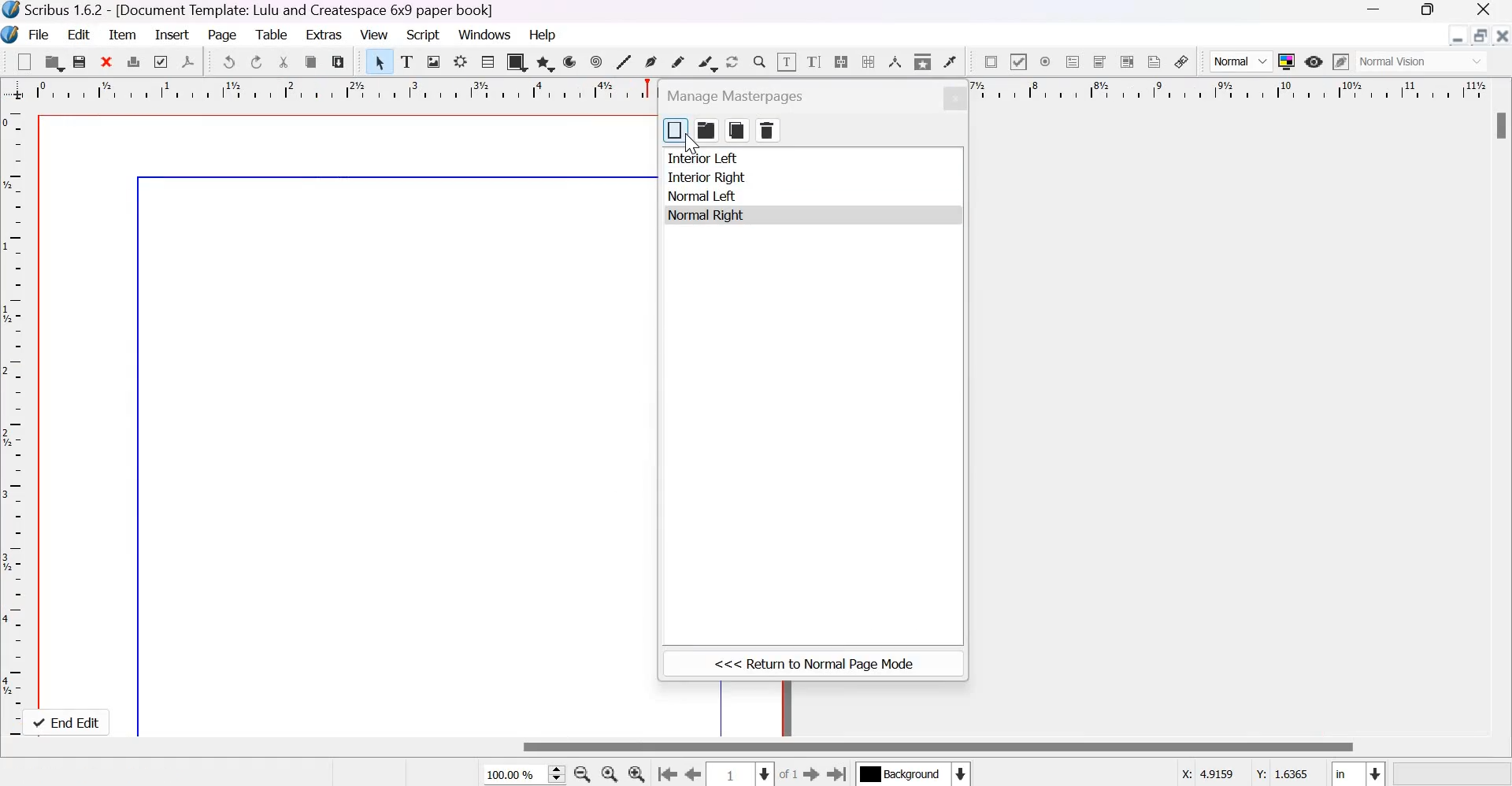 The image size is (1512, 786). Describe the element at coordinates (1480, 36) in the screenshot. I see `resize` at that location.